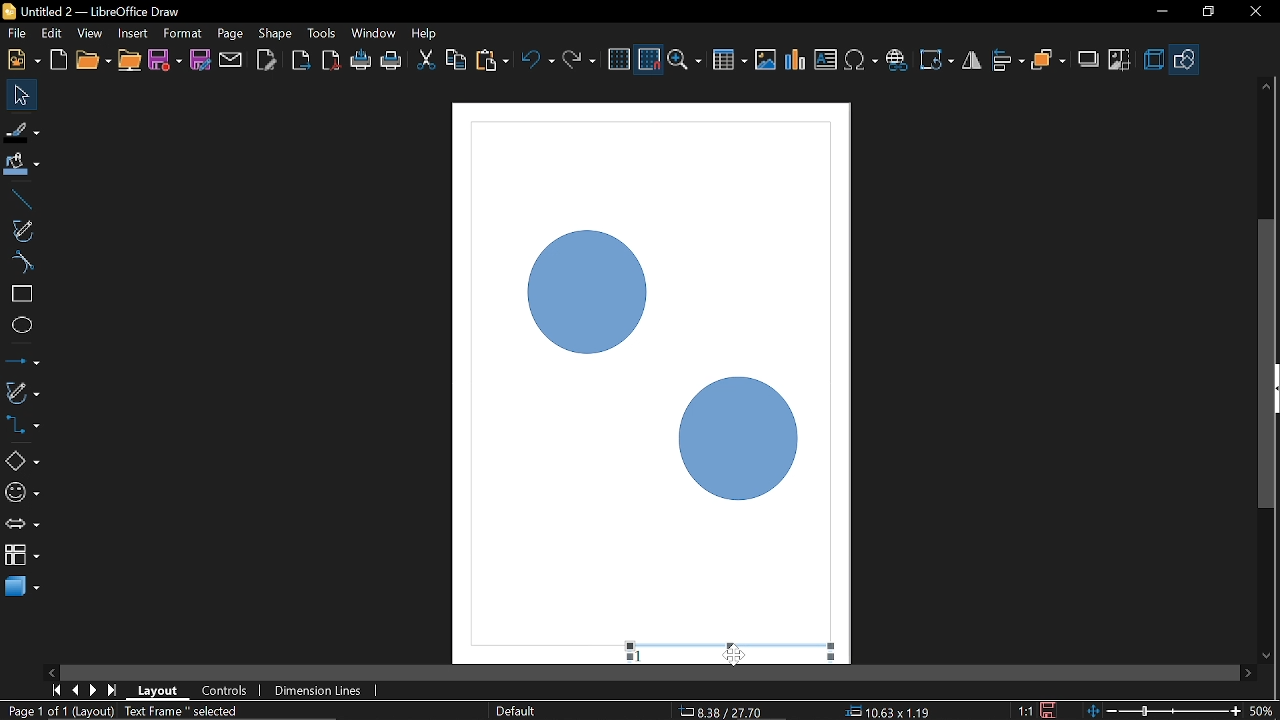 The width and height of the screenshot is (1280, 720). Describe the element at coordinates (730, 61) in the screenshot. I see `Insert table` at that location.